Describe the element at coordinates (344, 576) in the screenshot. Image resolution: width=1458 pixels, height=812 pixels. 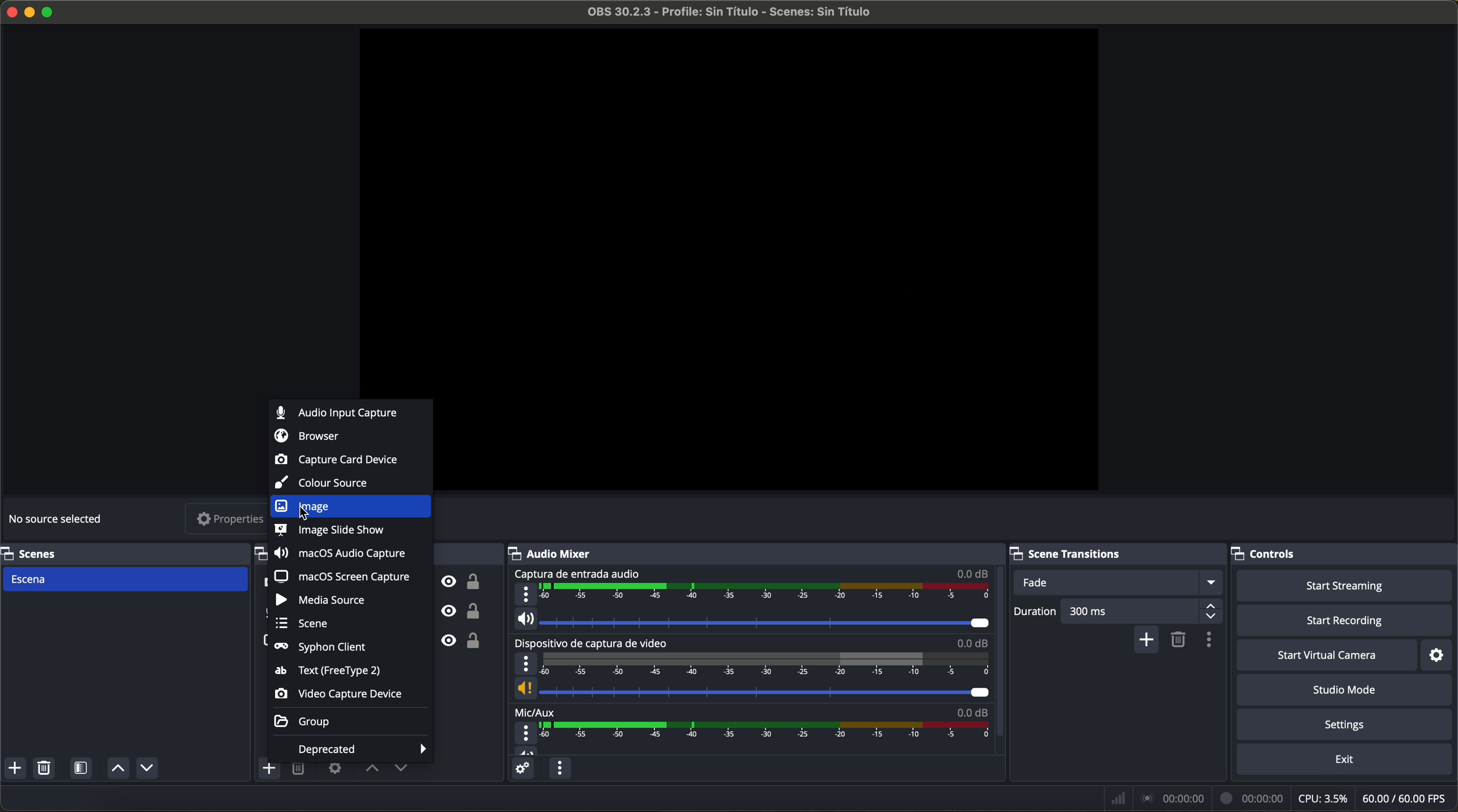
I see `macOS screen capture` at that location.